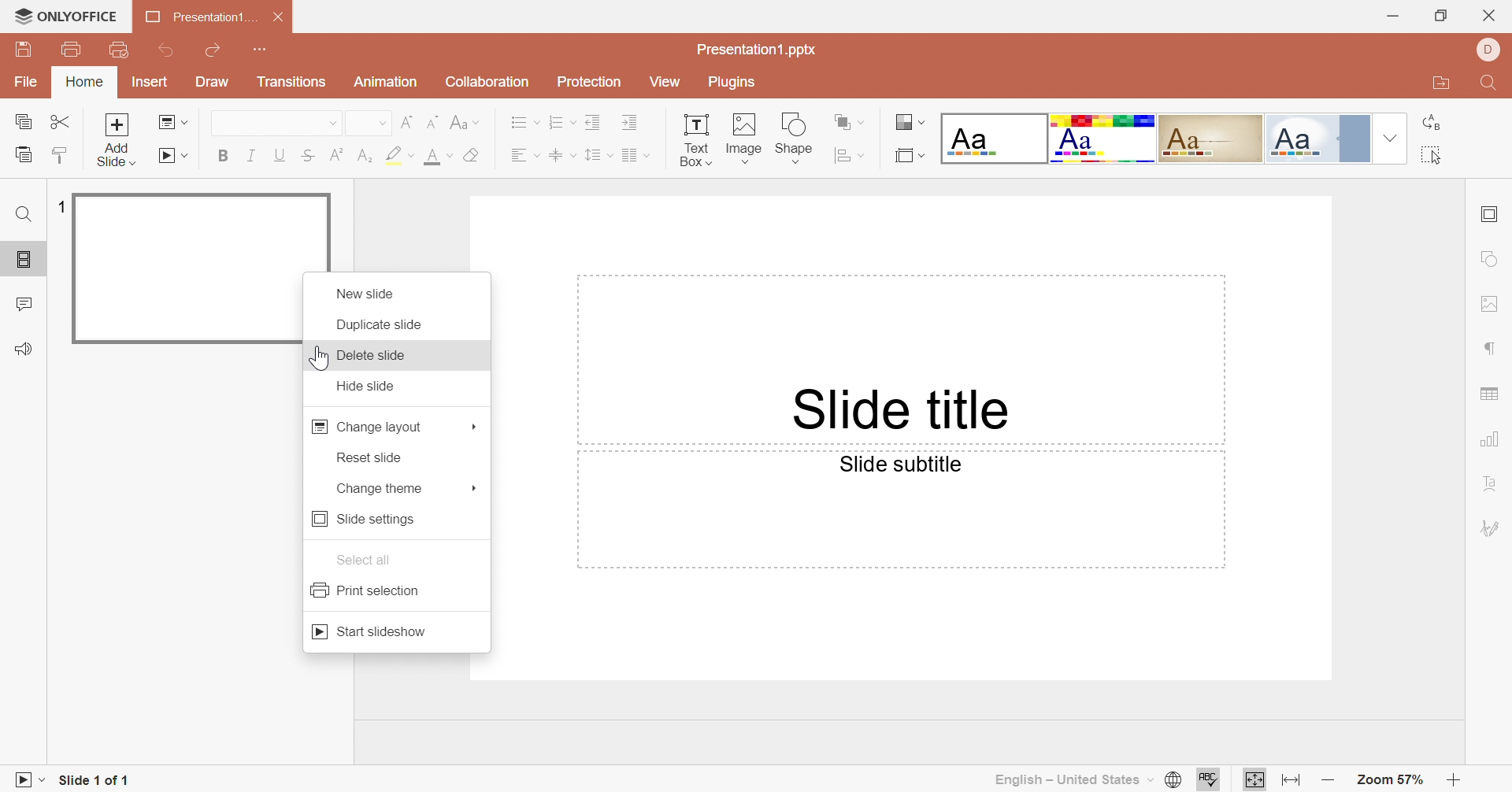  What do you see at coordinates (28, 80) in the screenshot?
I see `File` at bounding box center [28, 80].